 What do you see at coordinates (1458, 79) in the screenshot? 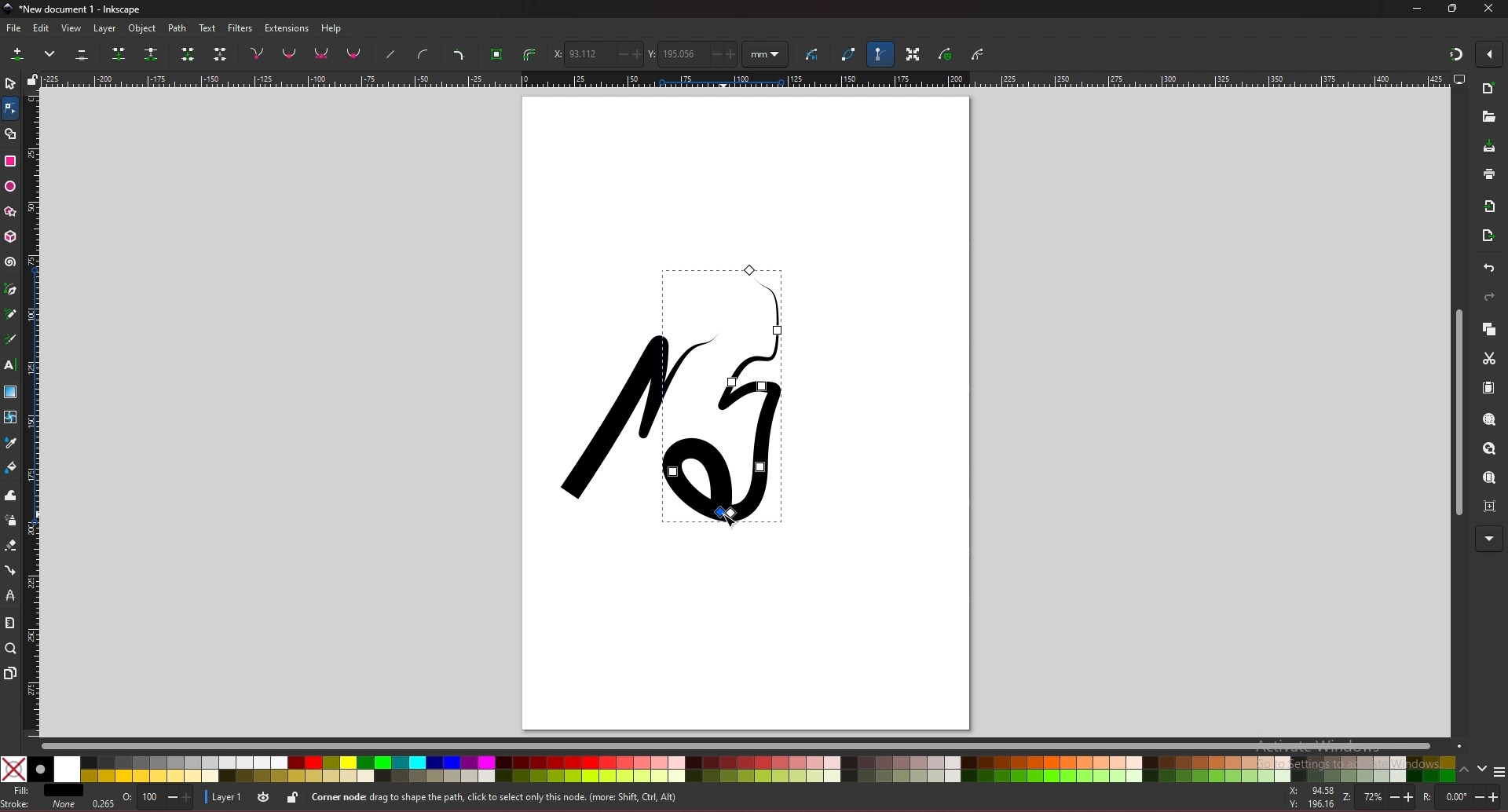
I see `display options` at bounding box center [1458, 79].